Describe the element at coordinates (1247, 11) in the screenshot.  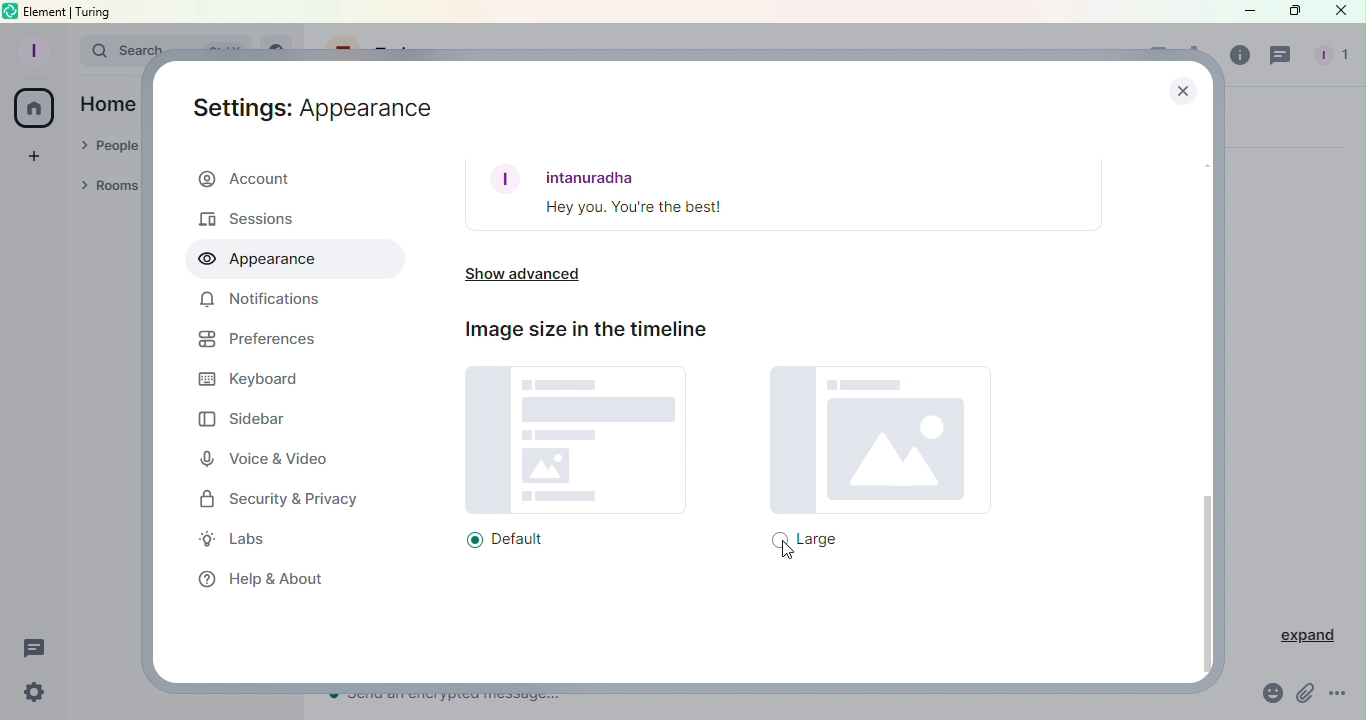
I see `Minimize` at that location.